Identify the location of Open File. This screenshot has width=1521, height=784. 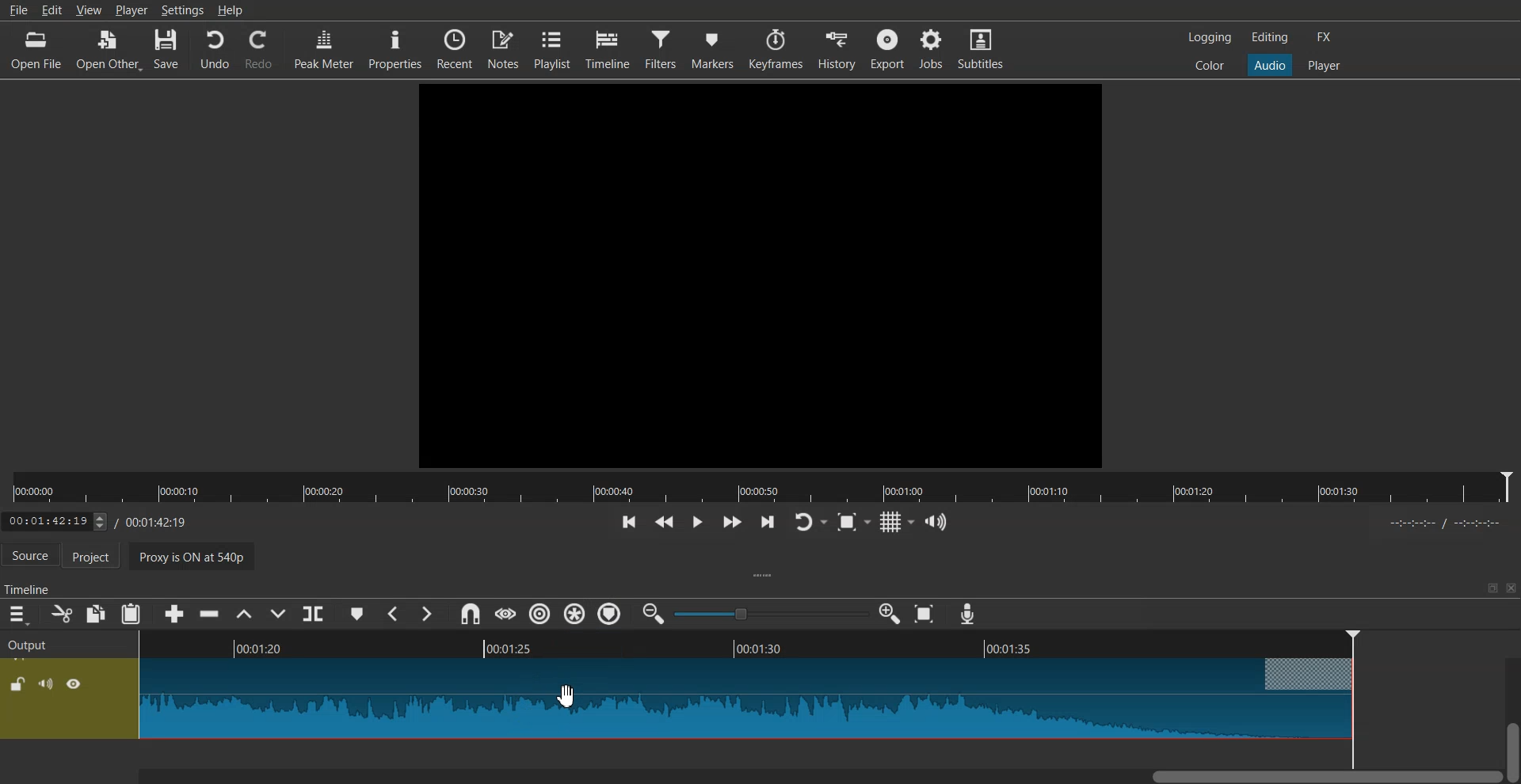
(37, 48).